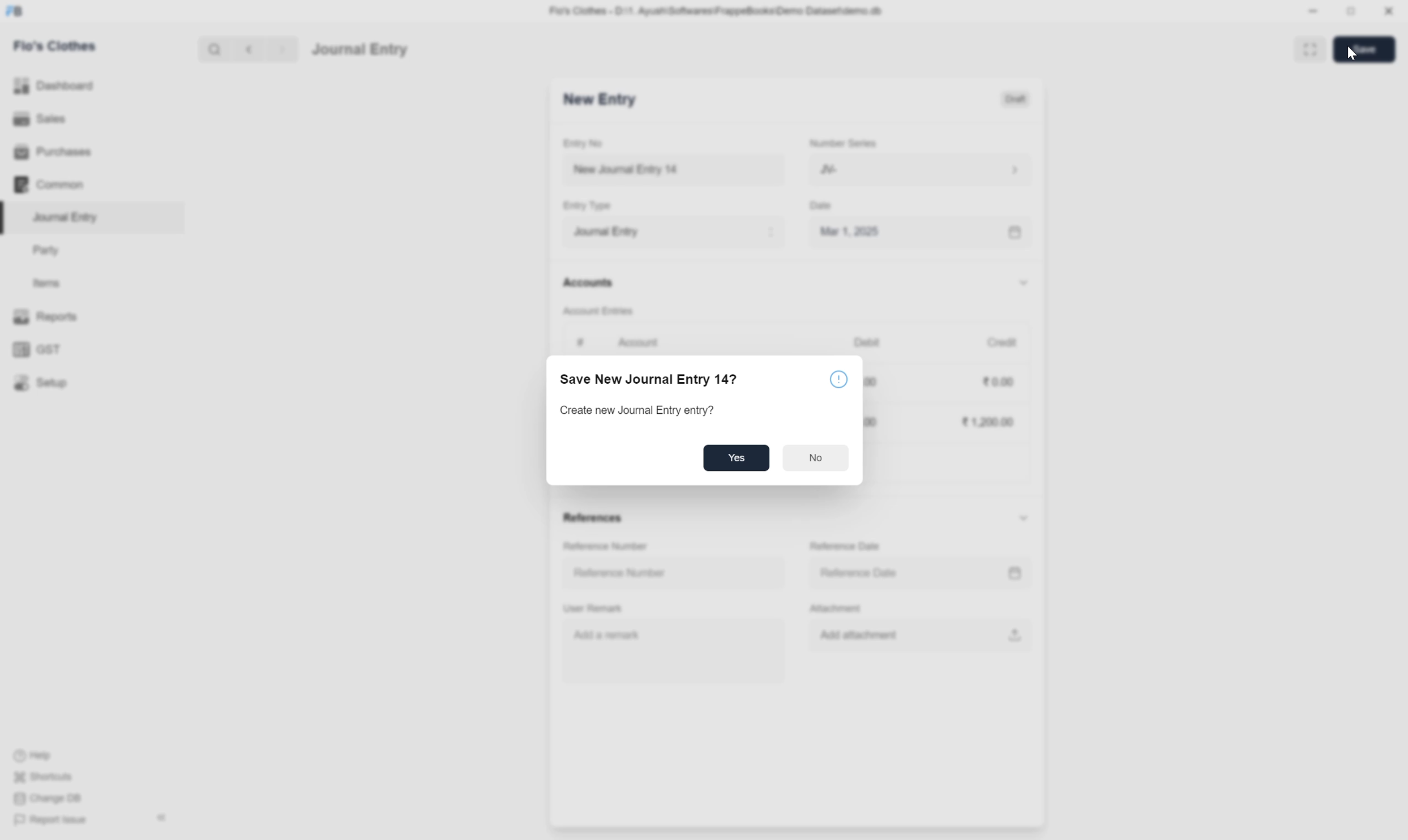 The height and width of the screenshot is (840, 1408). What do you see at coordinates (213, 49) in the screenshot?
I see `search` at bounding box center [213, 49].